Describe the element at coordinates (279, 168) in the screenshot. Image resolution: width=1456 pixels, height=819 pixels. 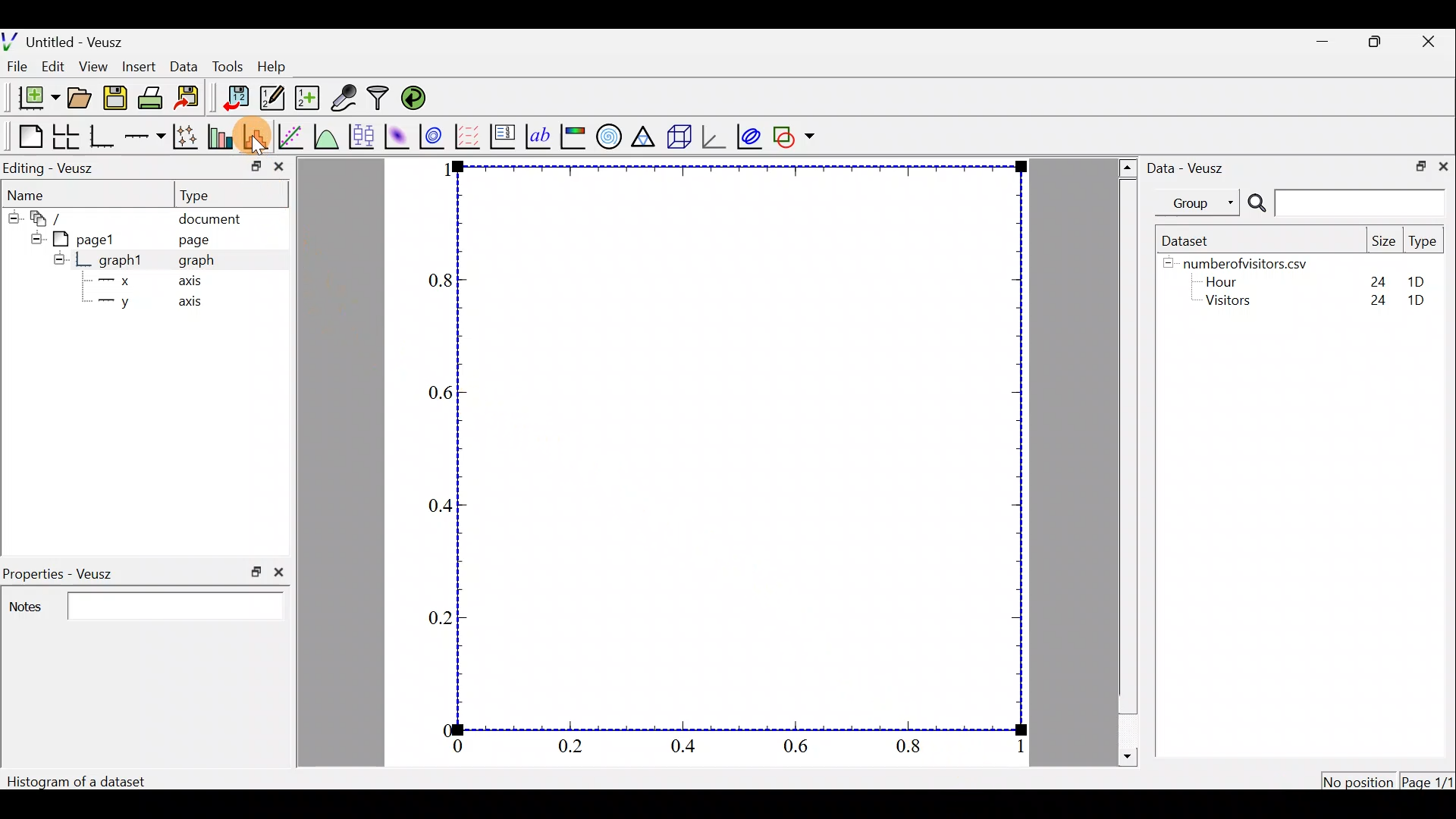
I see `close` at that location.